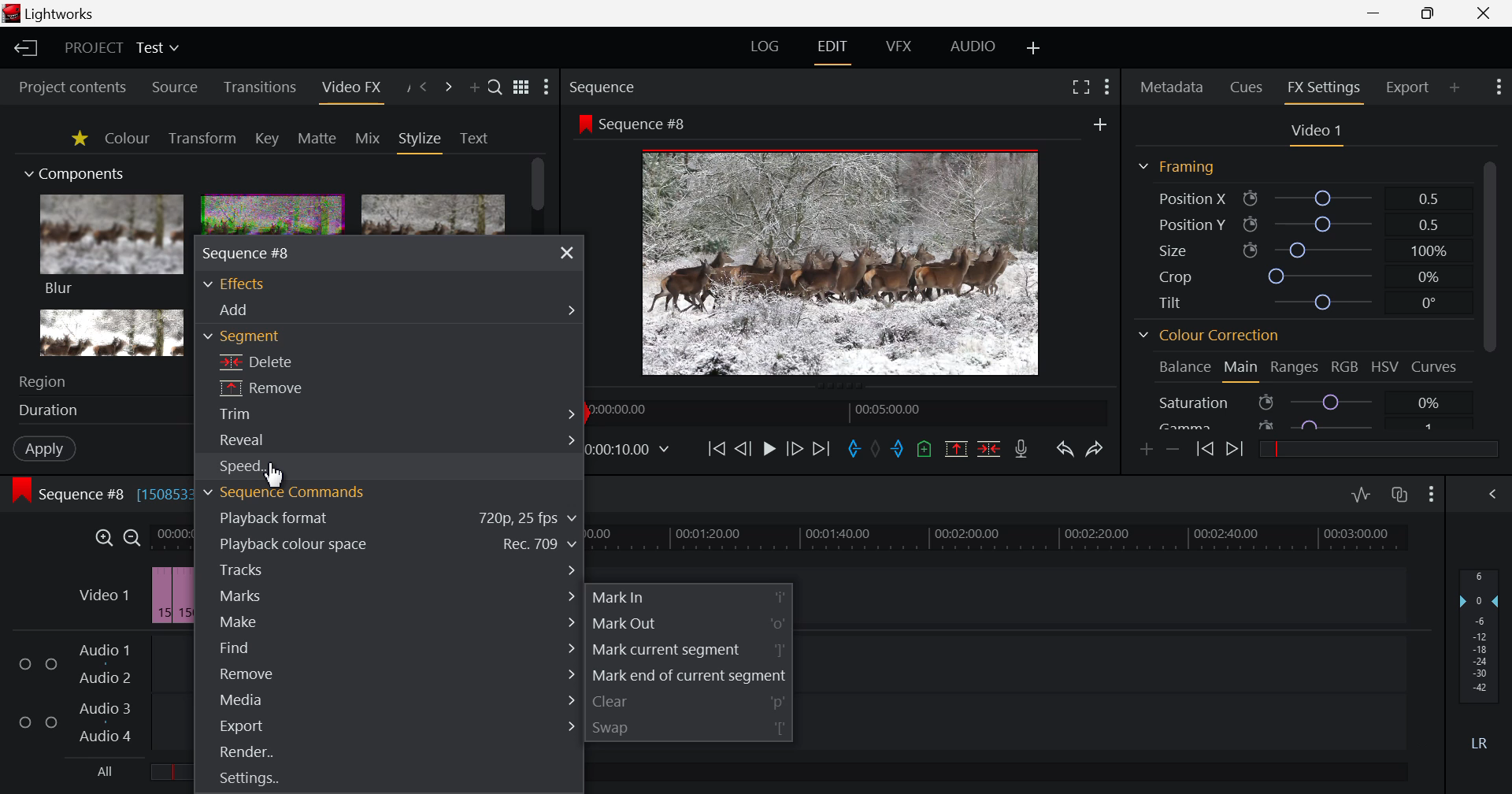  Describe the element at coordinates (388, 307) in the screenshot. I see `Add` at that location.